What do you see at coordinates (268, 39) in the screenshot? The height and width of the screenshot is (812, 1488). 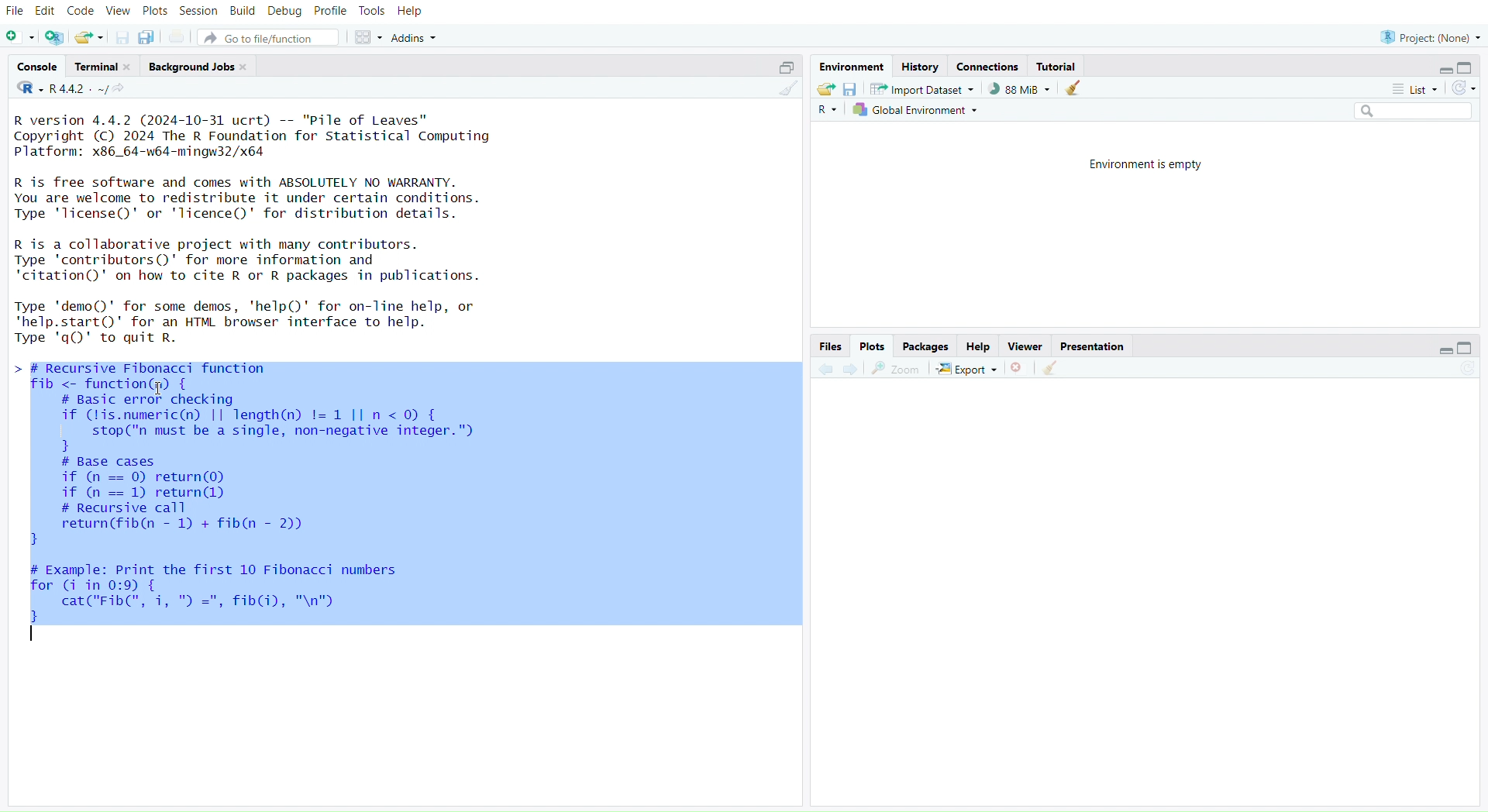 I see `go to file/function` at bounding box center [268, 39].